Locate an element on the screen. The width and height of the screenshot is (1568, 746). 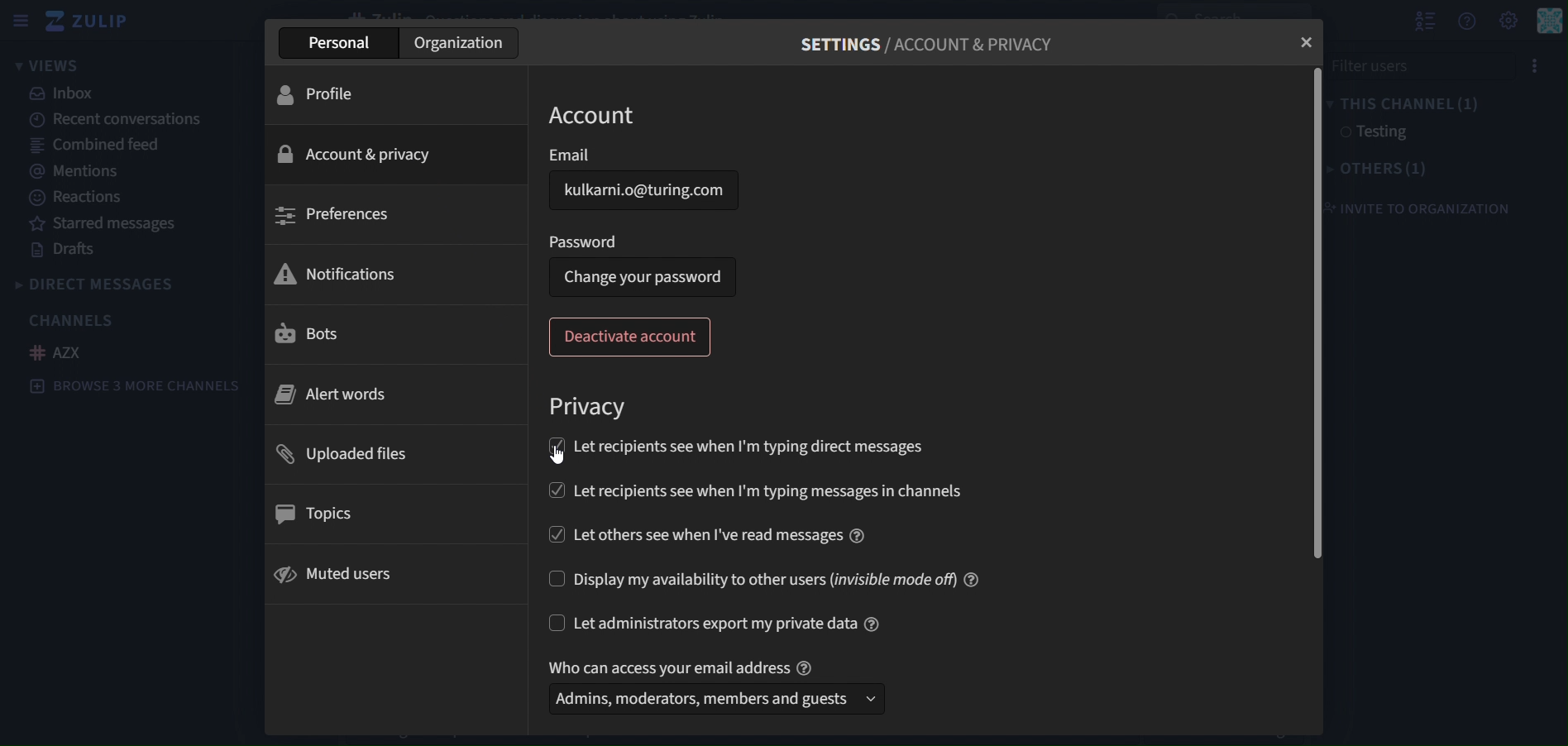
zulip is located at coordinates (87, 21).